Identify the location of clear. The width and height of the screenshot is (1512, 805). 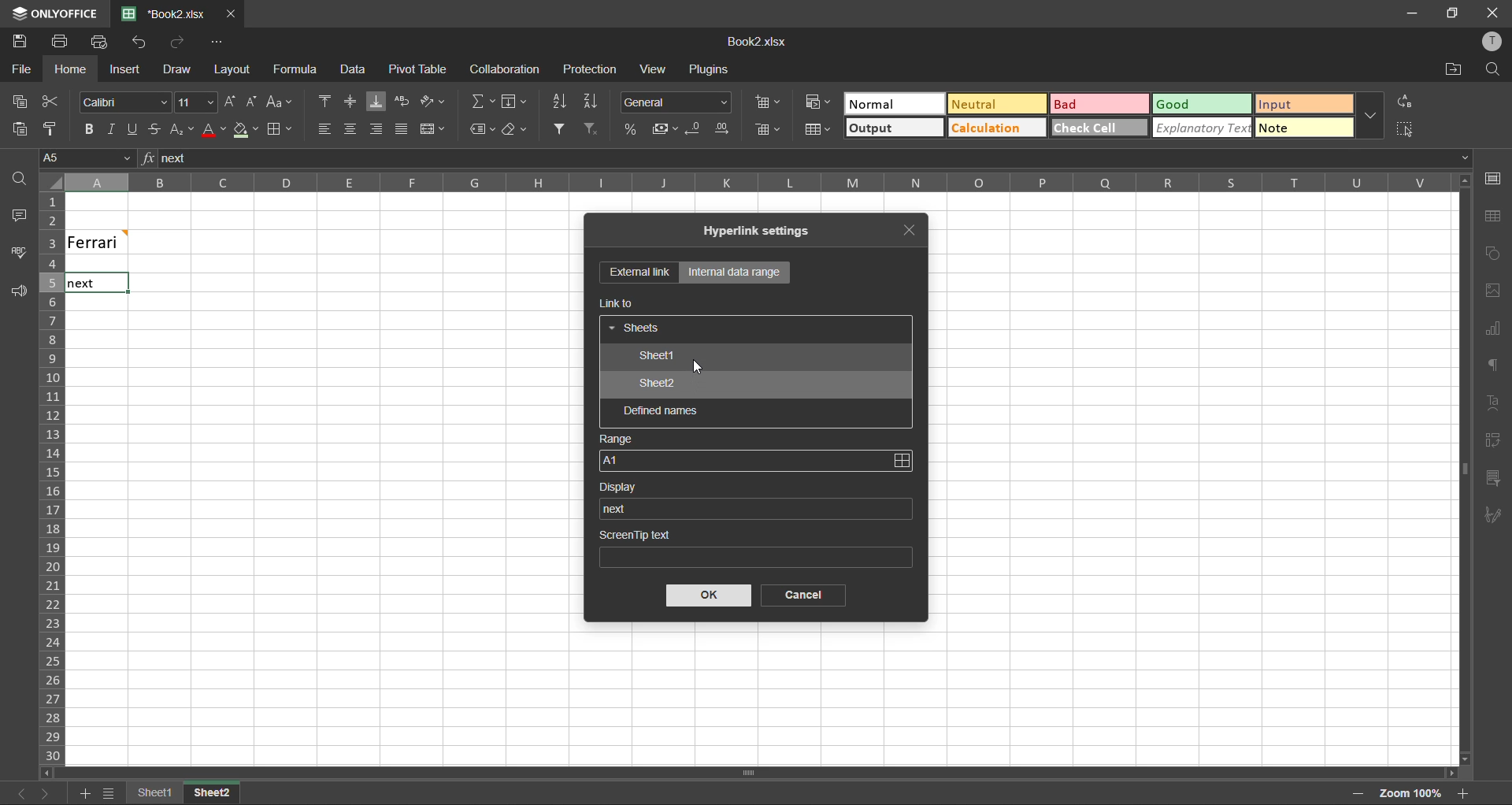
(517, 131).